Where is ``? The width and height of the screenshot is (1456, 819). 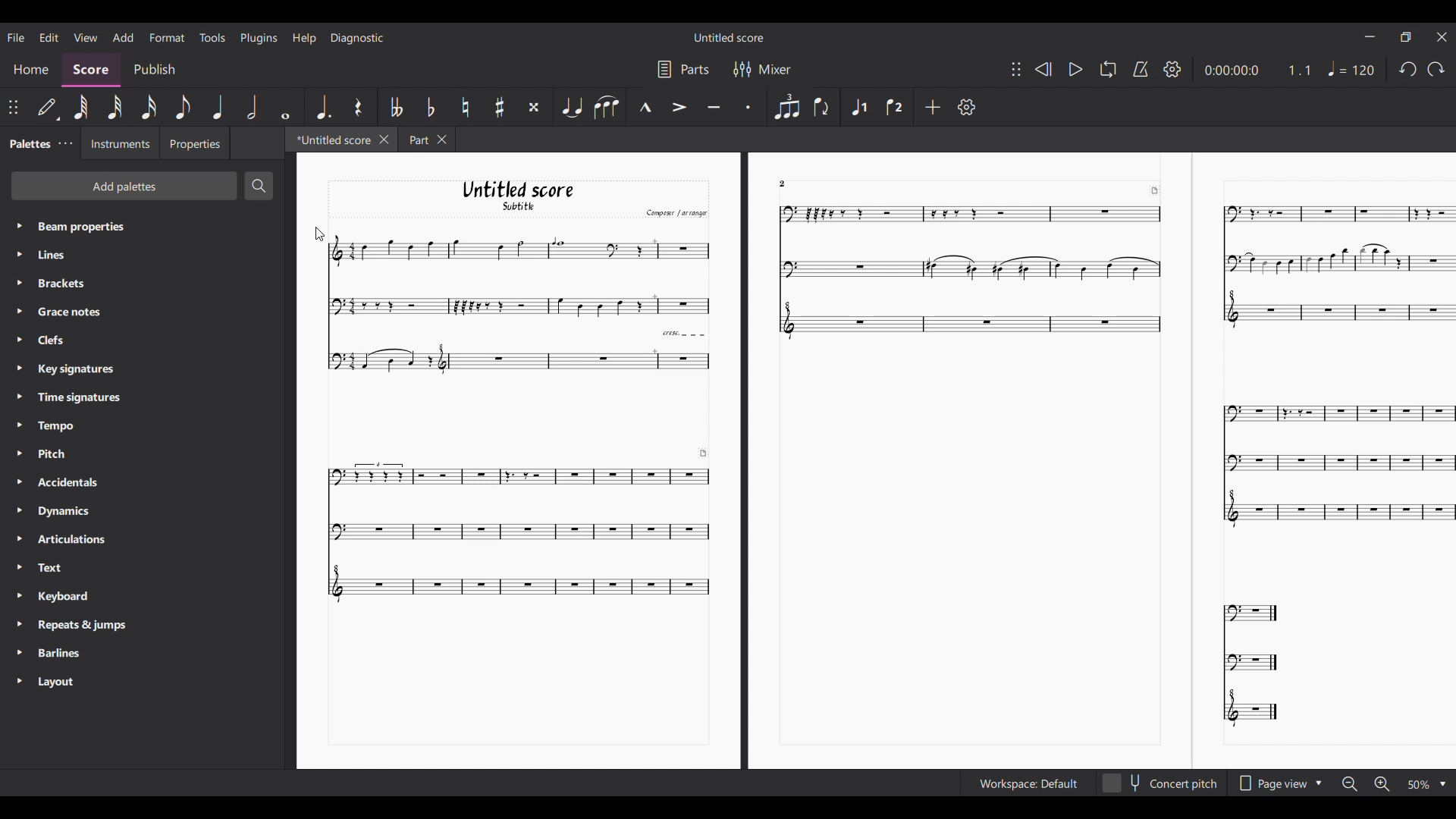  is located at coordinates (1247, 707).